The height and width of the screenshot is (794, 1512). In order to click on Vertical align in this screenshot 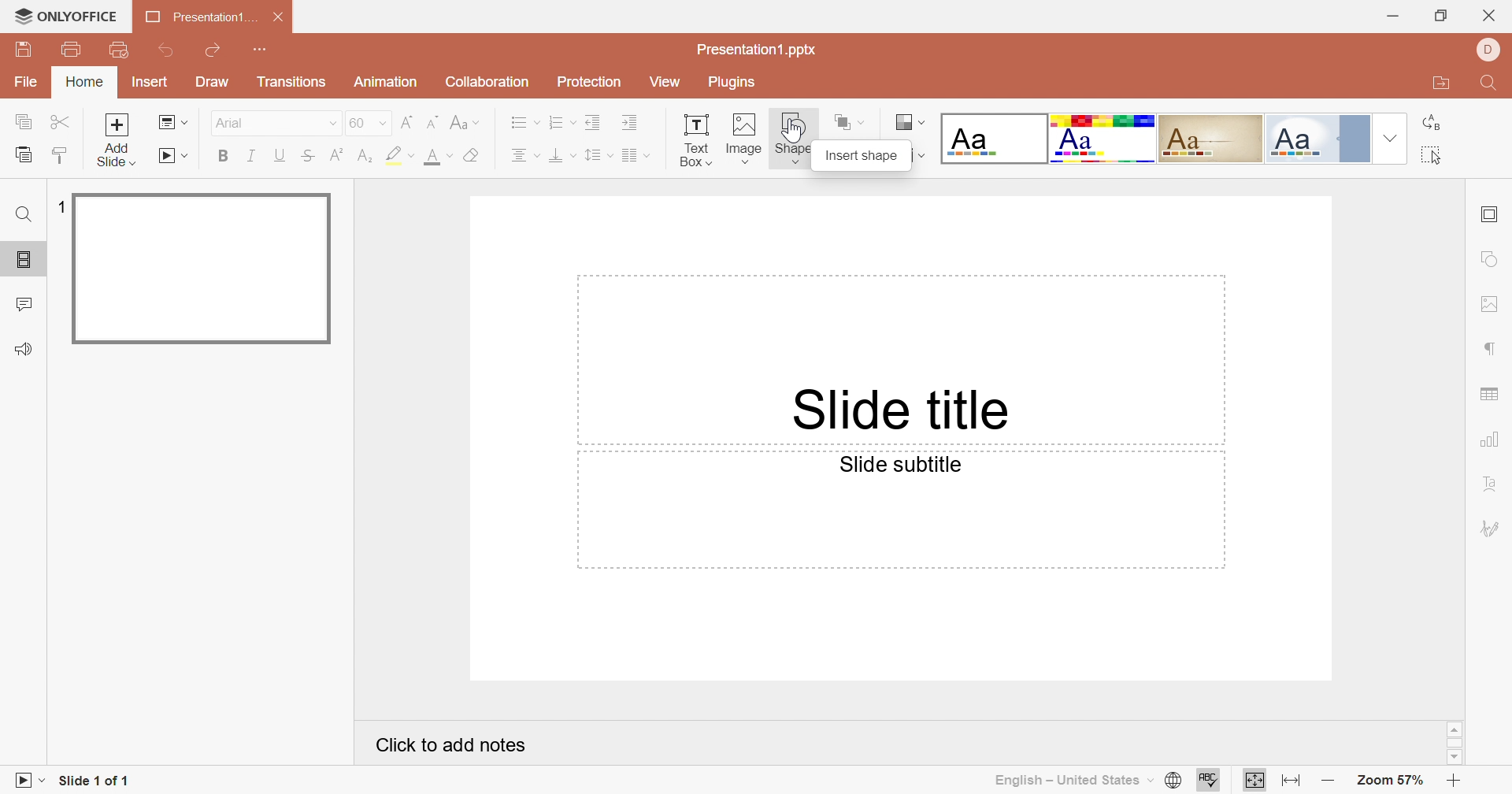, I will do `click(562, 155)`.